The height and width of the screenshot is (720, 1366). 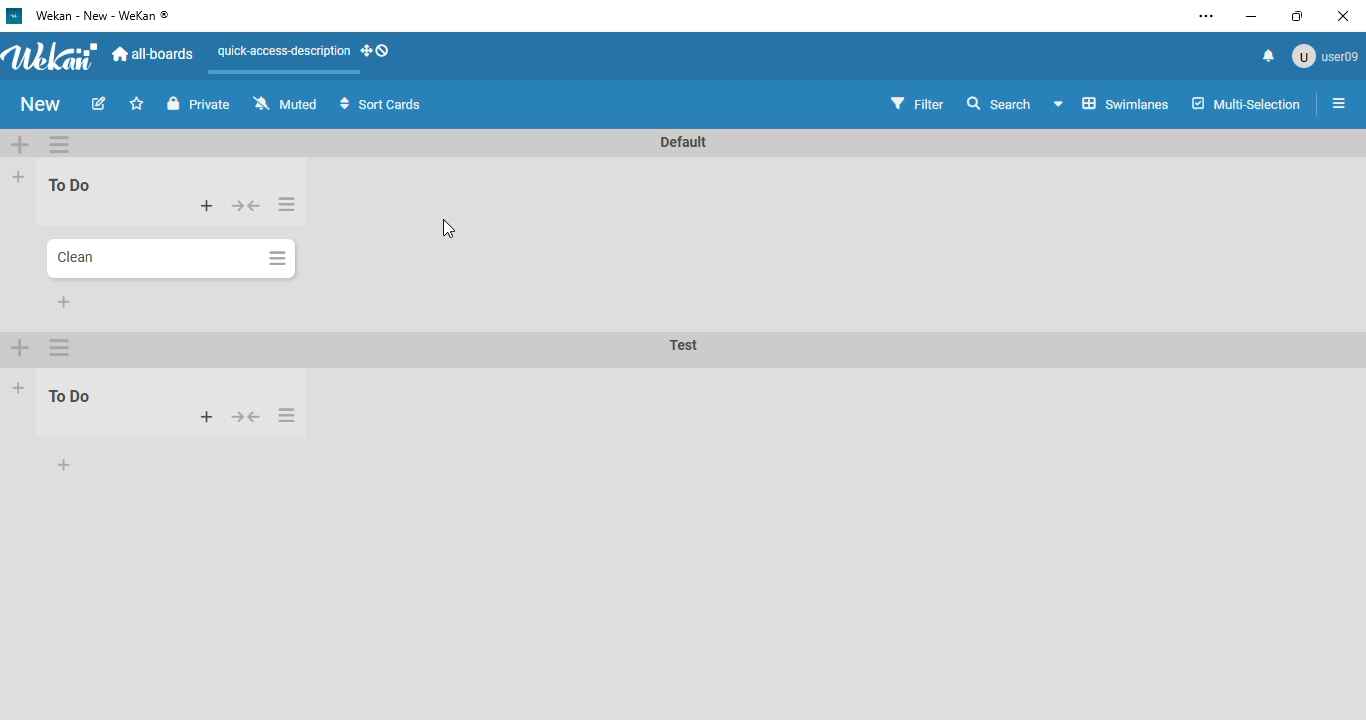 I want to click on notifications, so click(x=1270, y=56).